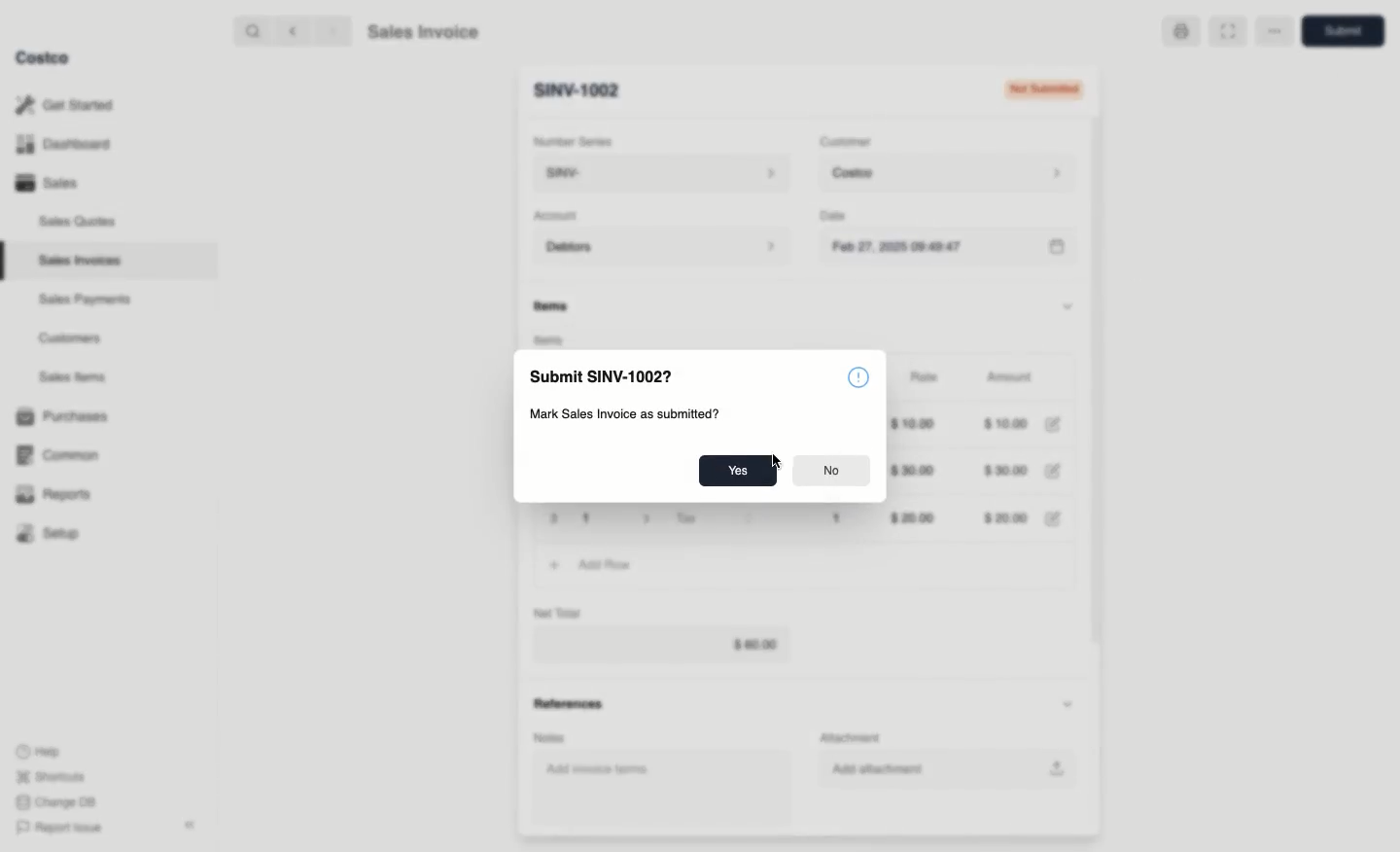 This screenshot has height=852, width=1400. Describe the element at coordinates (50, 775) in the screenshot. I see `Shortcuts` at that location.